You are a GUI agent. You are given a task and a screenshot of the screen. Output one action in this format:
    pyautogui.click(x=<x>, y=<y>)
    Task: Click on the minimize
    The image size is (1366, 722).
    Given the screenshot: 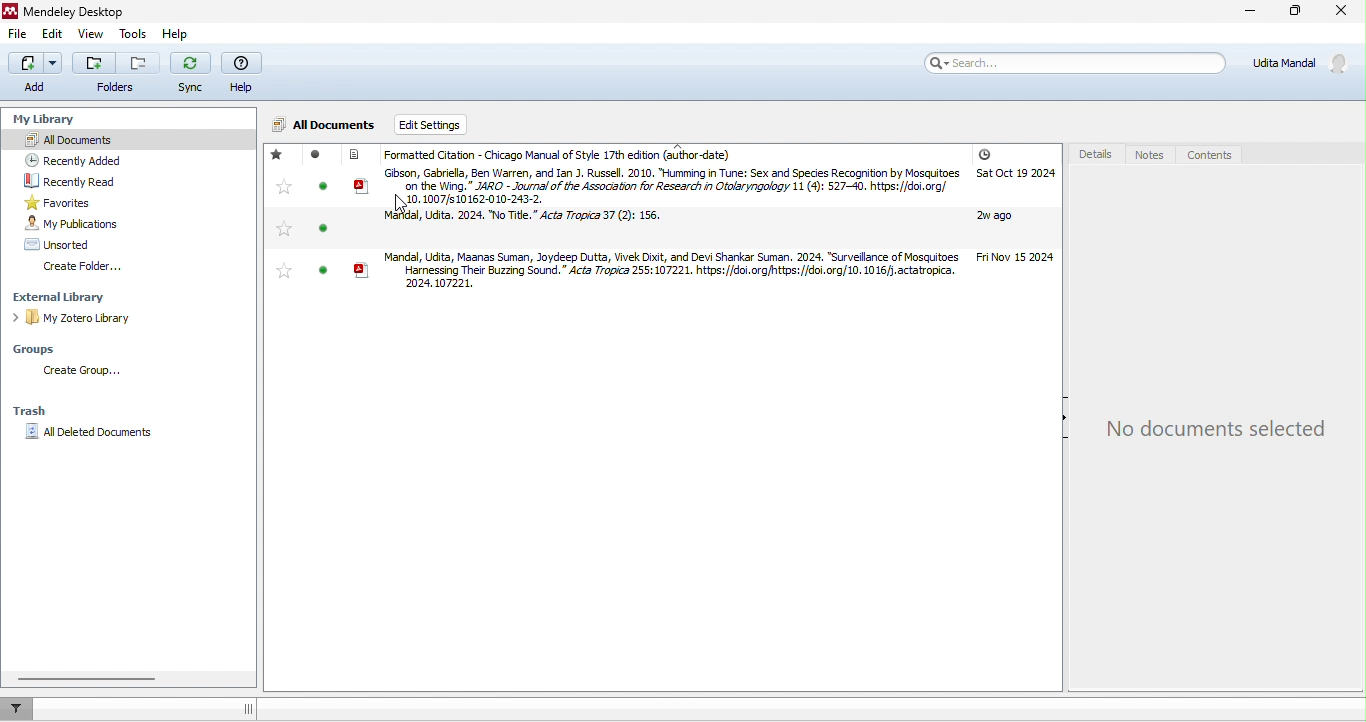 What is the action you would take?
    pyautogui.click(x=1249, y=13)
    